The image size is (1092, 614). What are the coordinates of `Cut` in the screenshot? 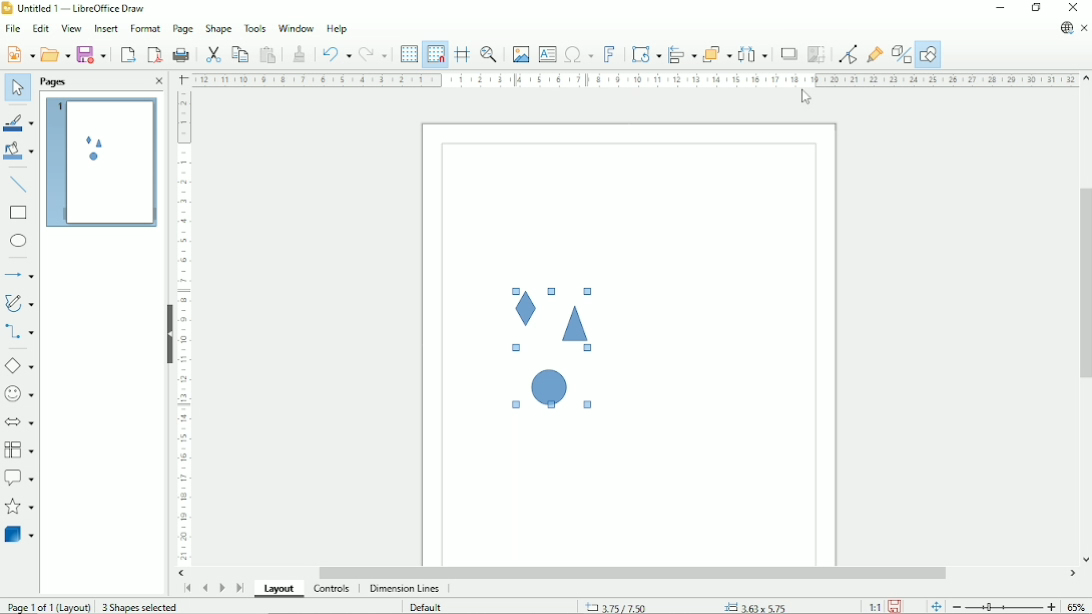 It's located at (212, 53).